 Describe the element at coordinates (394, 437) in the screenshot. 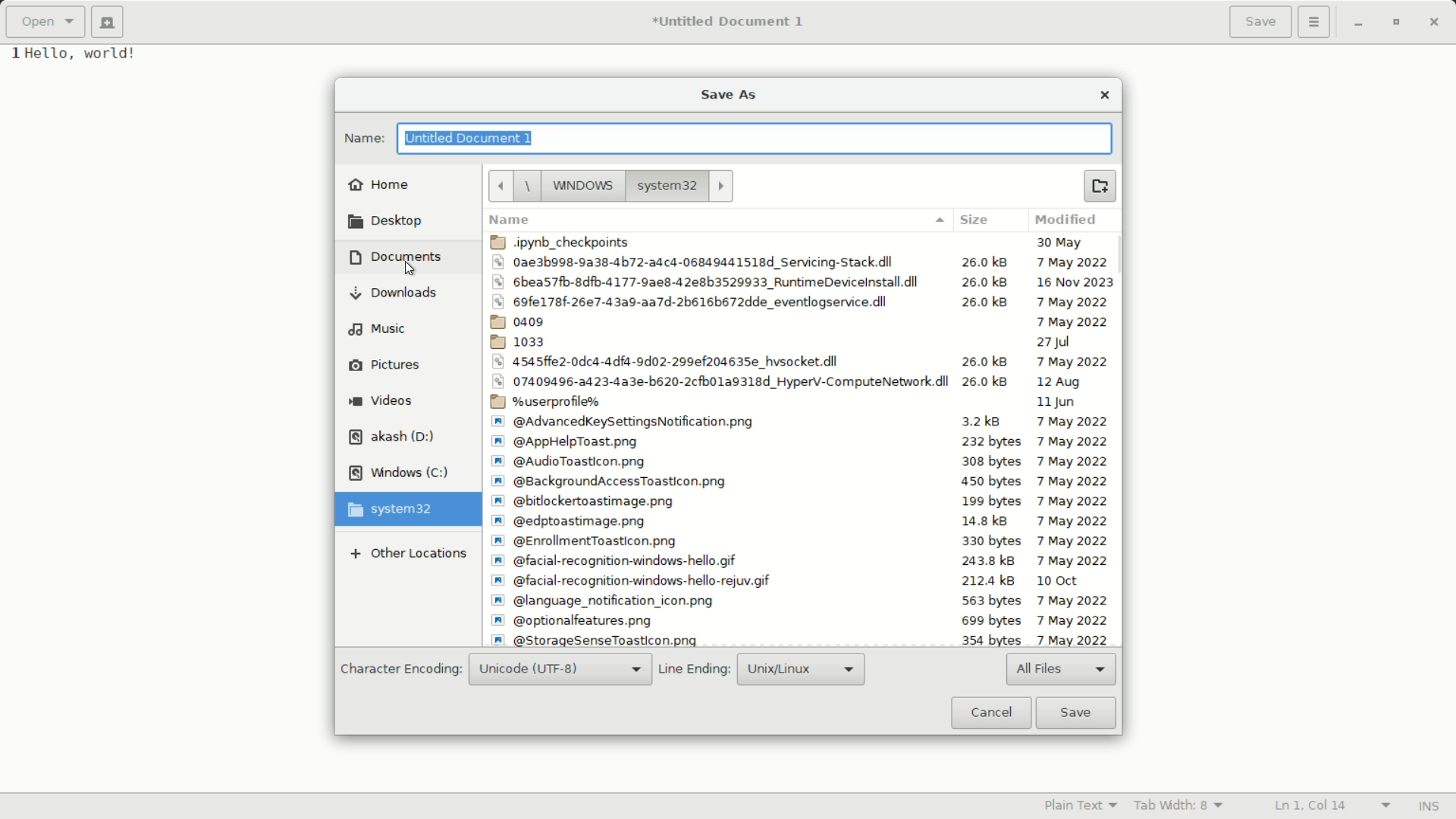

I see `akash(D:)` at that location.